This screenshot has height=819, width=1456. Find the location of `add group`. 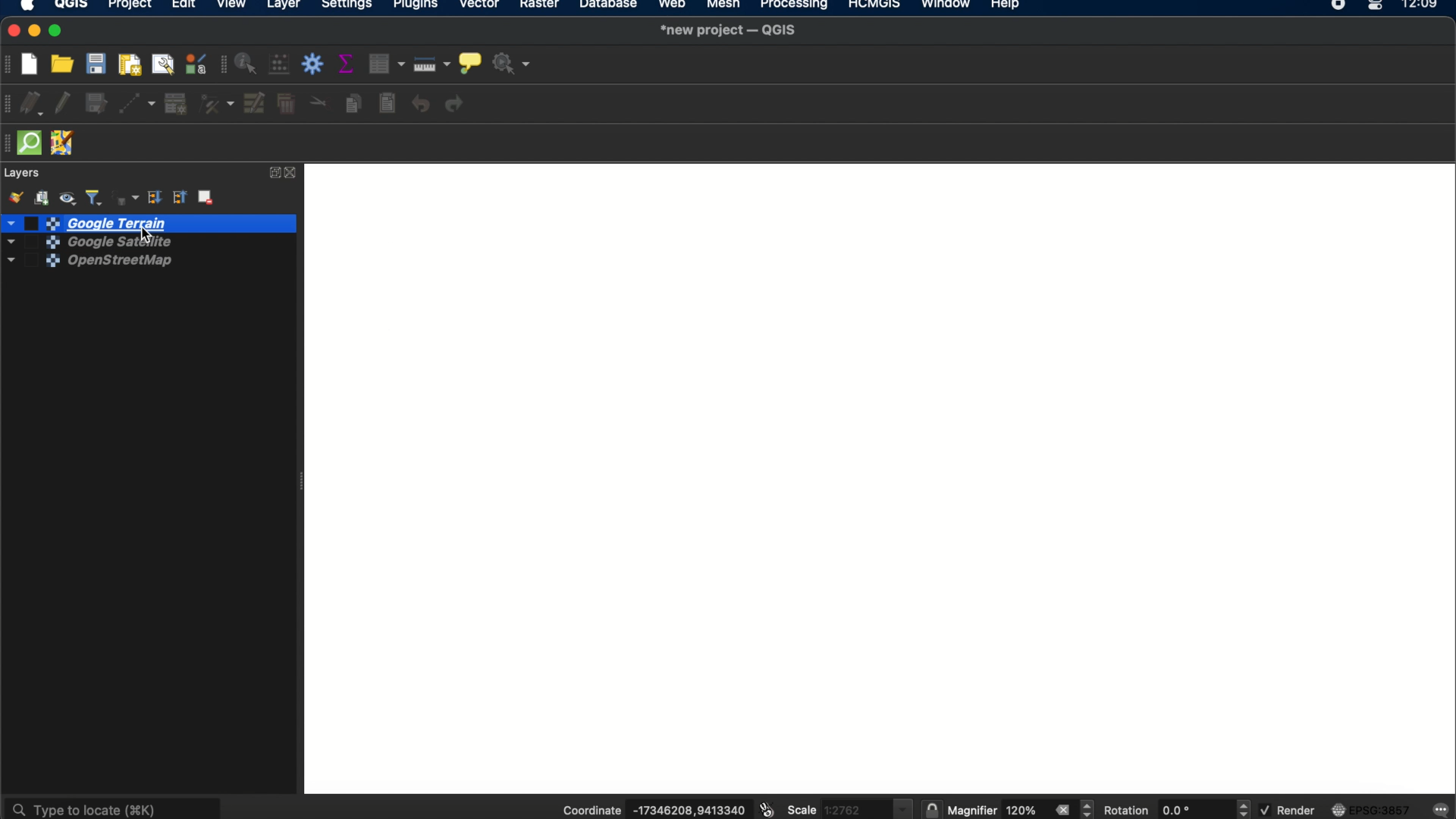

add group is located at coordinates (44, 197).